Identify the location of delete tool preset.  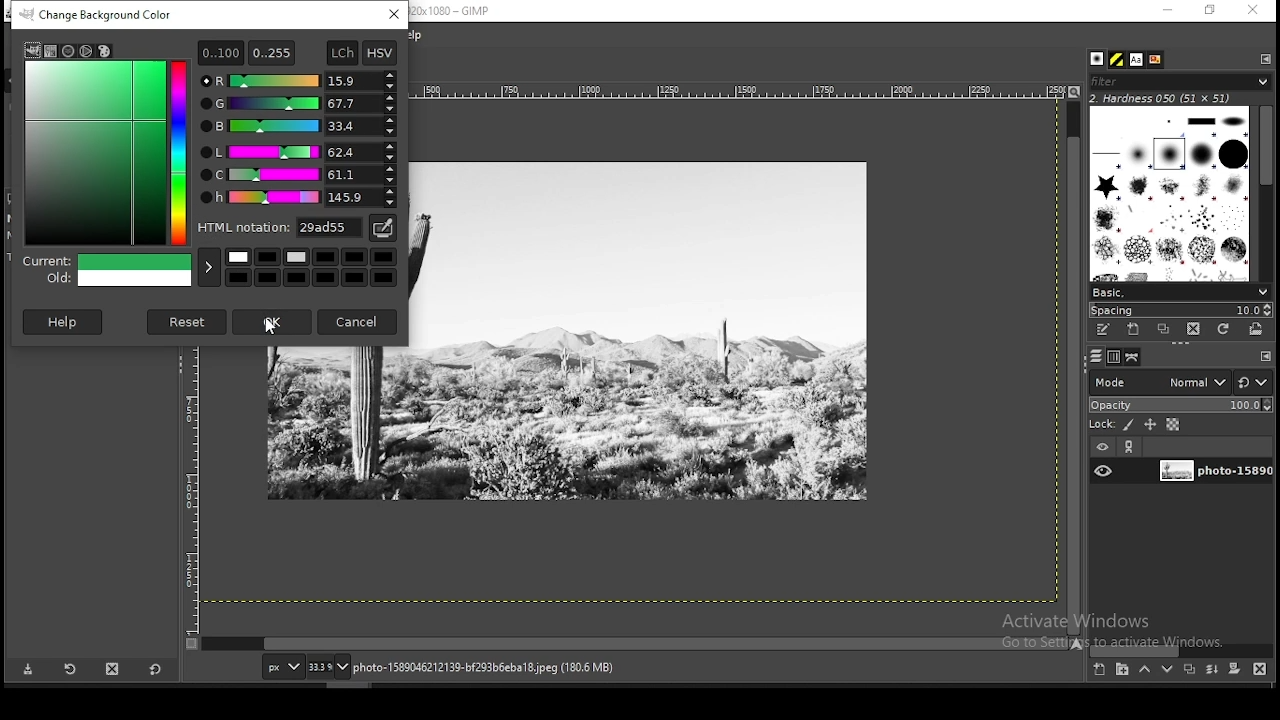
(112, 669).